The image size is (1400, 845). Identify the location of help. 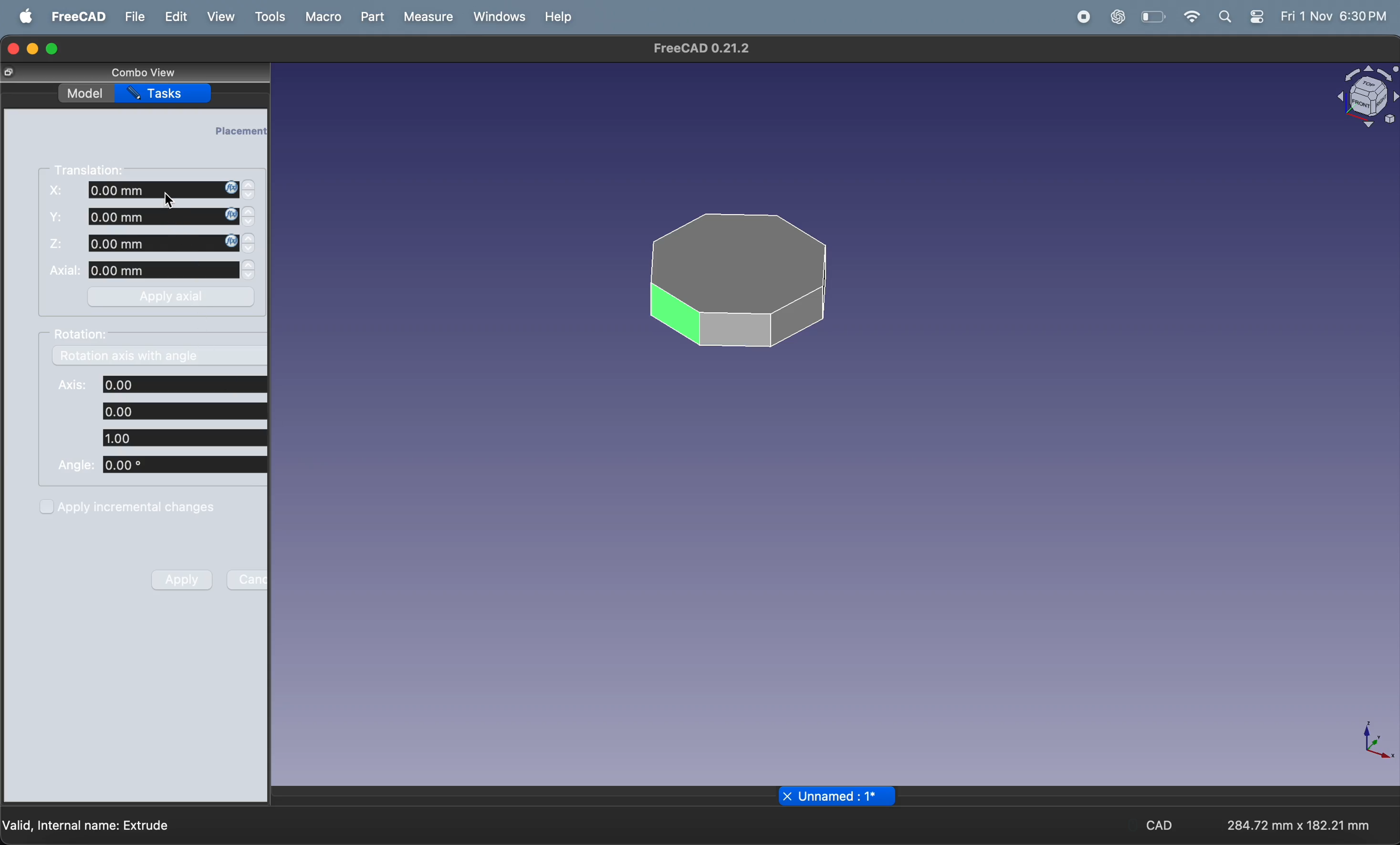
(561, 16).